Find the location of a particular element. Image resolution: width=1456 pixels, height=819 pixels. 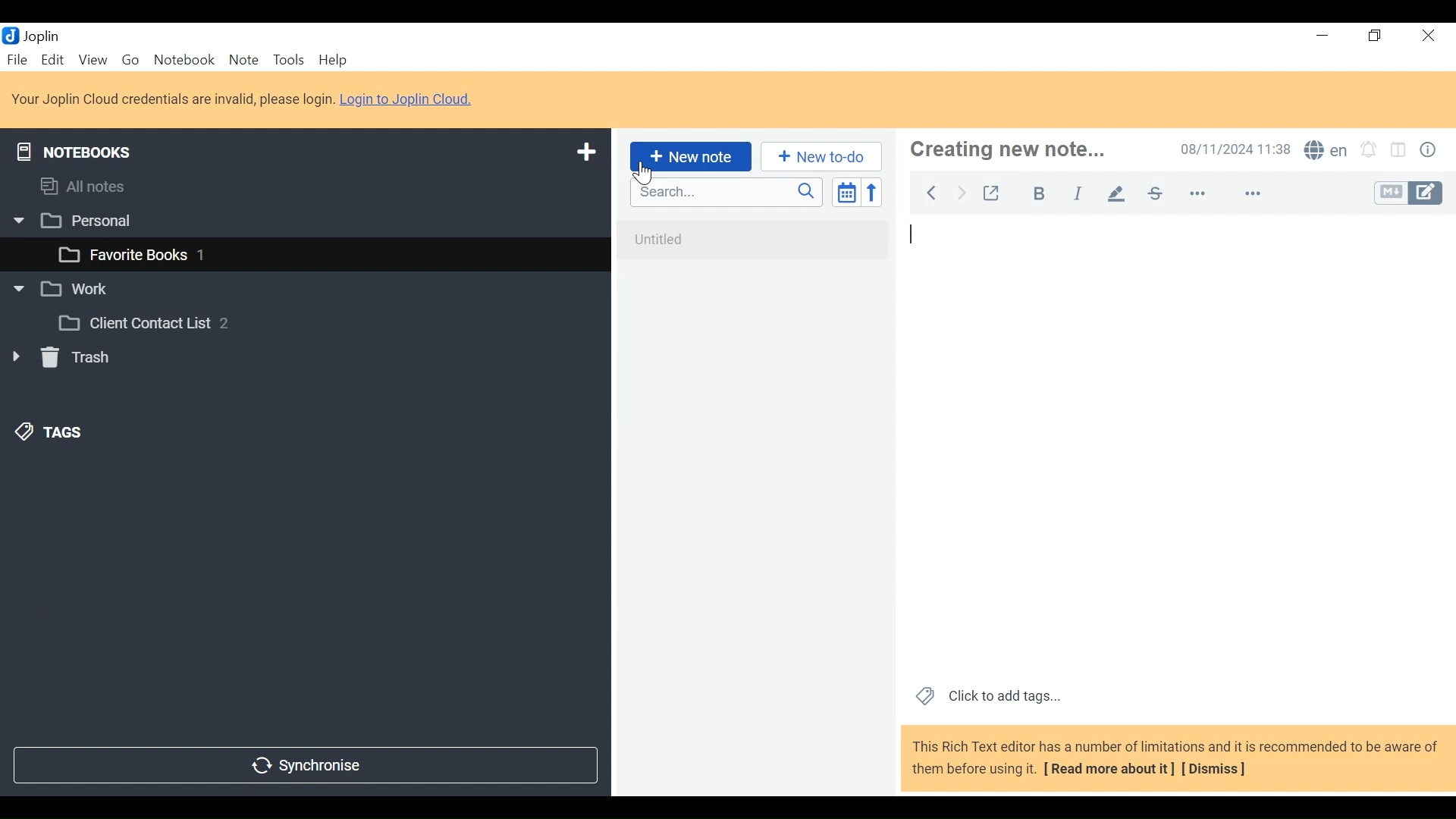

Note properties is located at coordinates (1429, 151).